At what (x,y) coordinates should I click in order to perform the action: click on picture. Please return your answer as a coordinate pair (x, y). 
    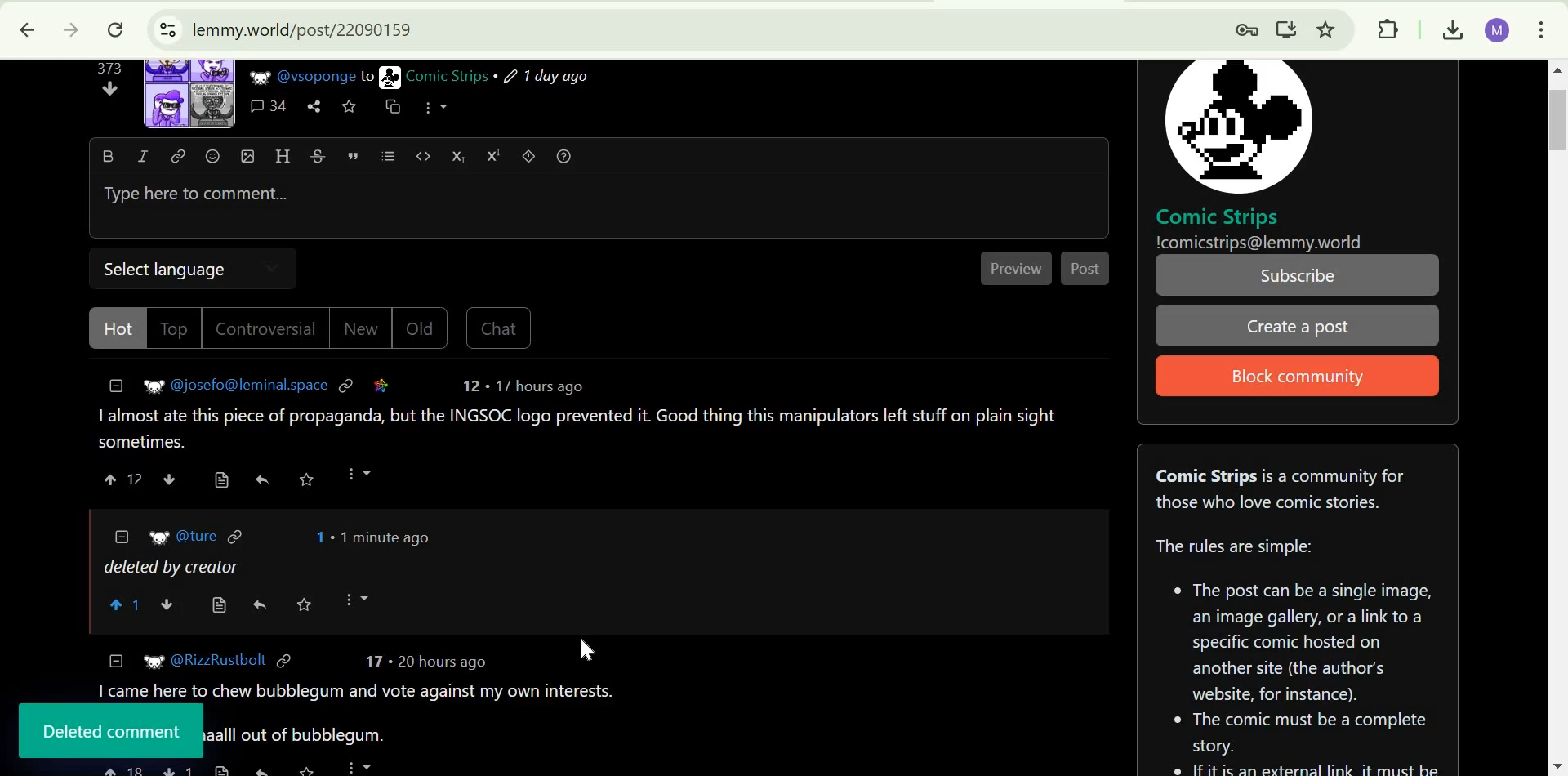
    Looking at the image, I should click on (147, 388).